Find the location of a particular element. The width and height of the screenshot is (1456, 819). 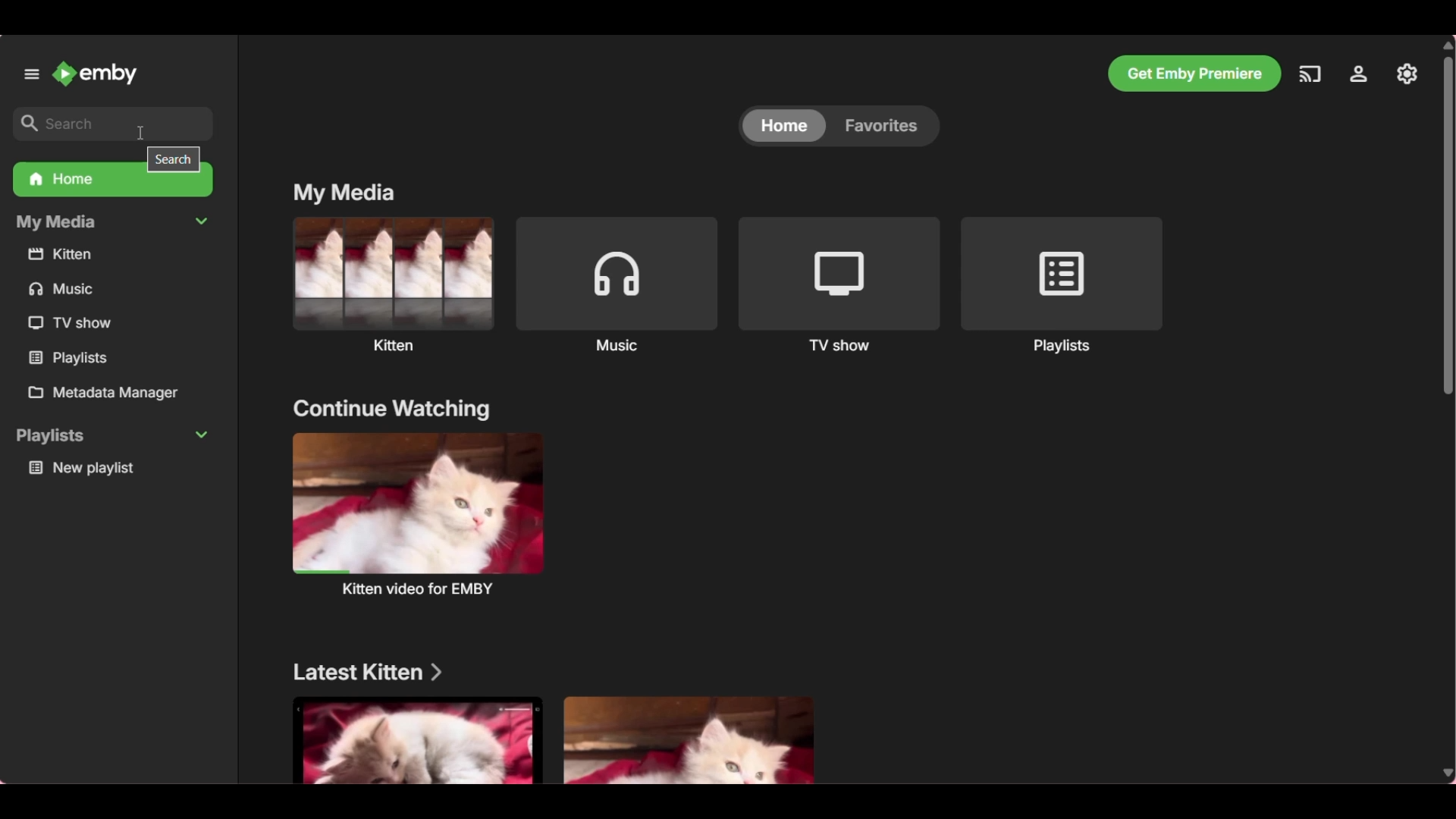

TV show is located at coordinates (77, 322).